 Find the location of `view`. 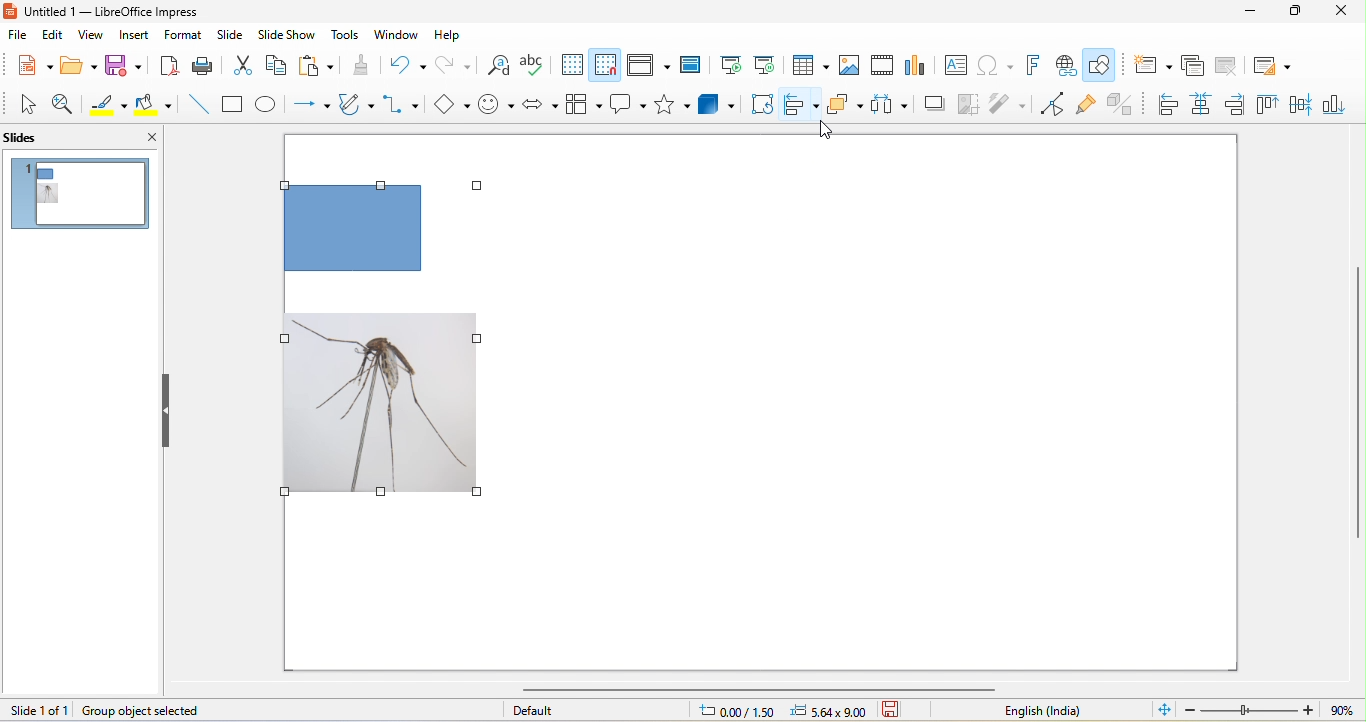

view is located at coordinates (89, 37).